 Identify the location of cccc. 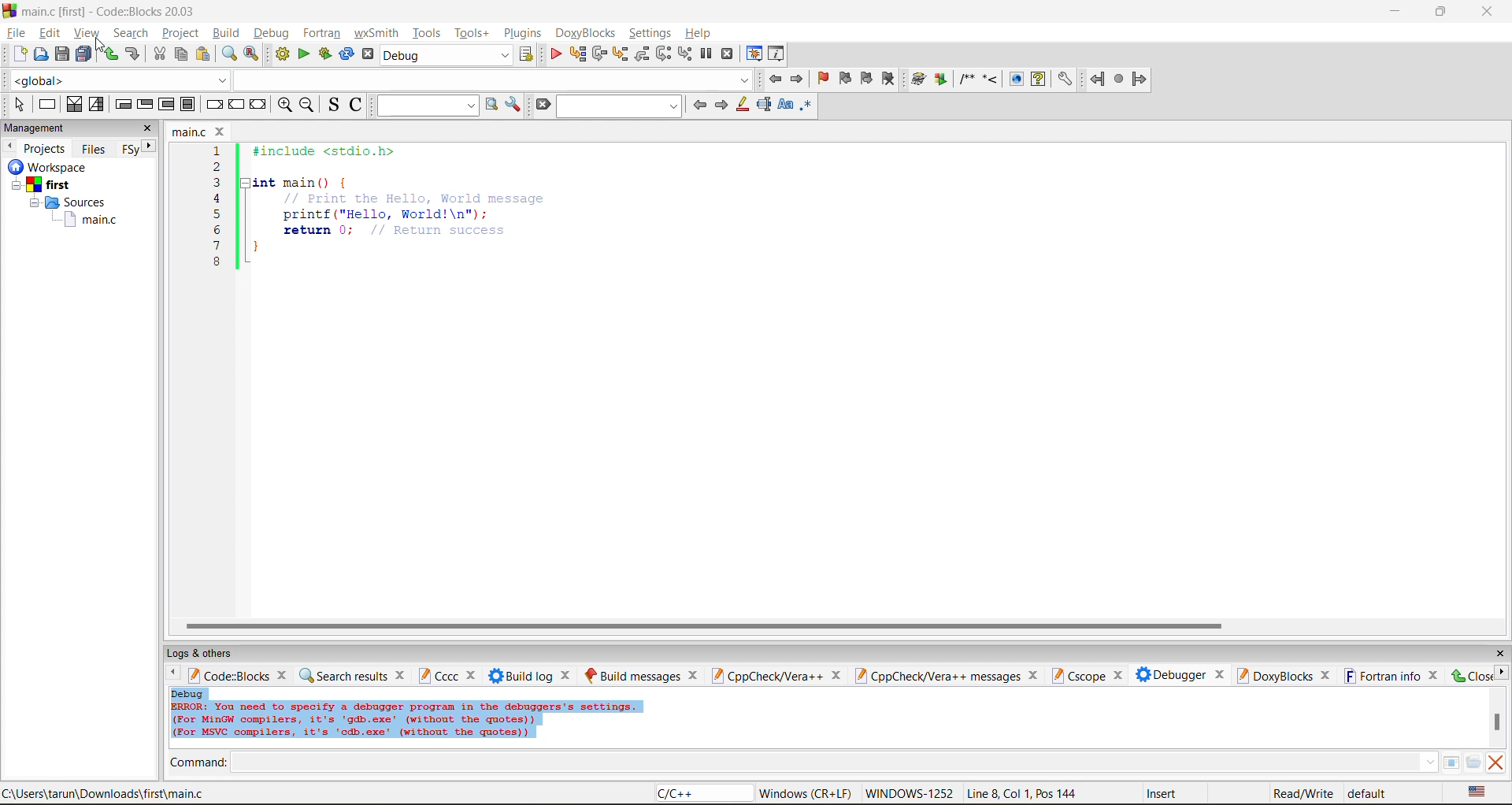
(447, 677).